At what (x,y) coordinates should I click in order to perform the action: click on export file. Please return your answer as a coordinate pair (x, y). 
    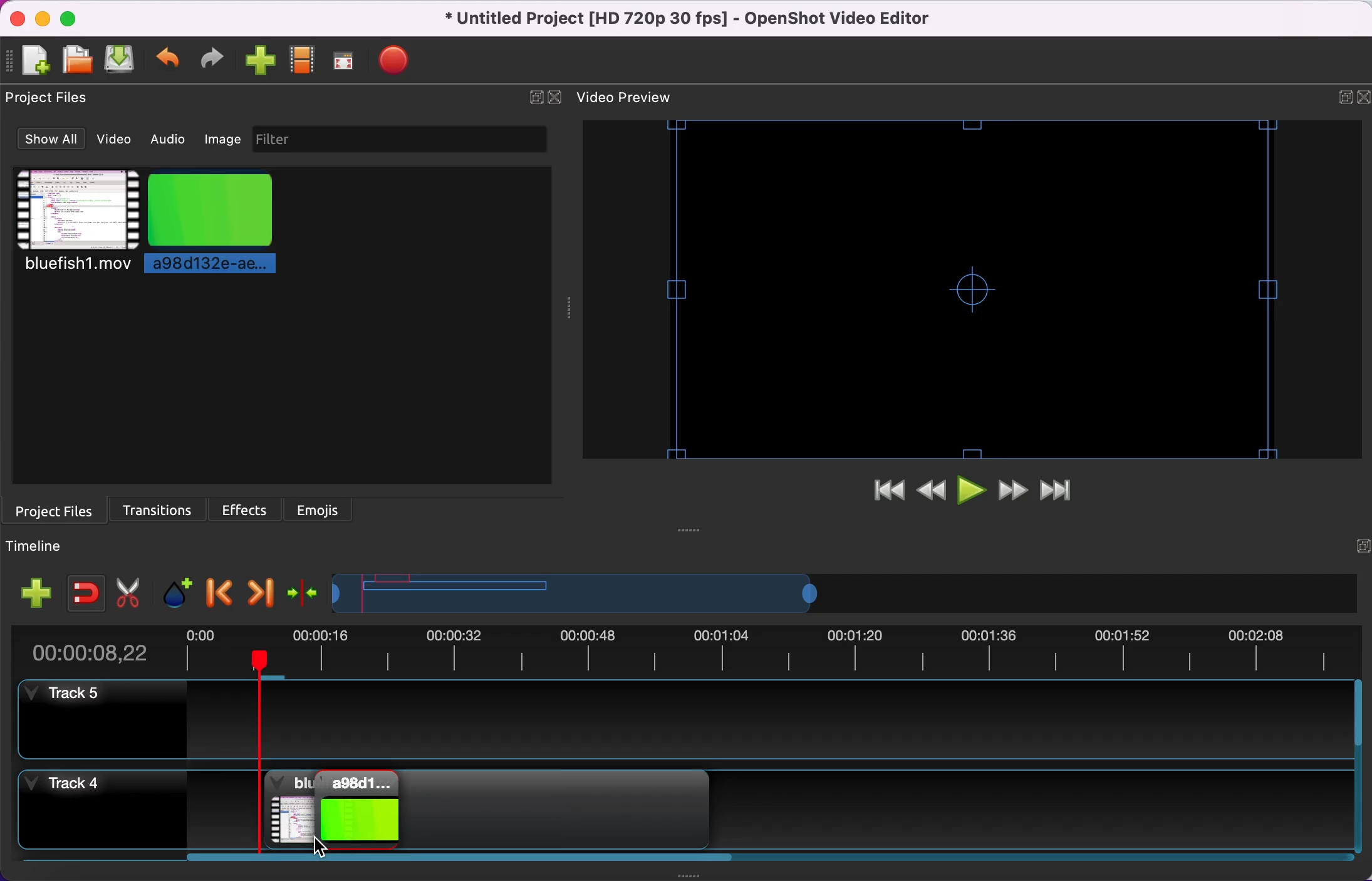
    Looking at the image, I should click on (397, 63).